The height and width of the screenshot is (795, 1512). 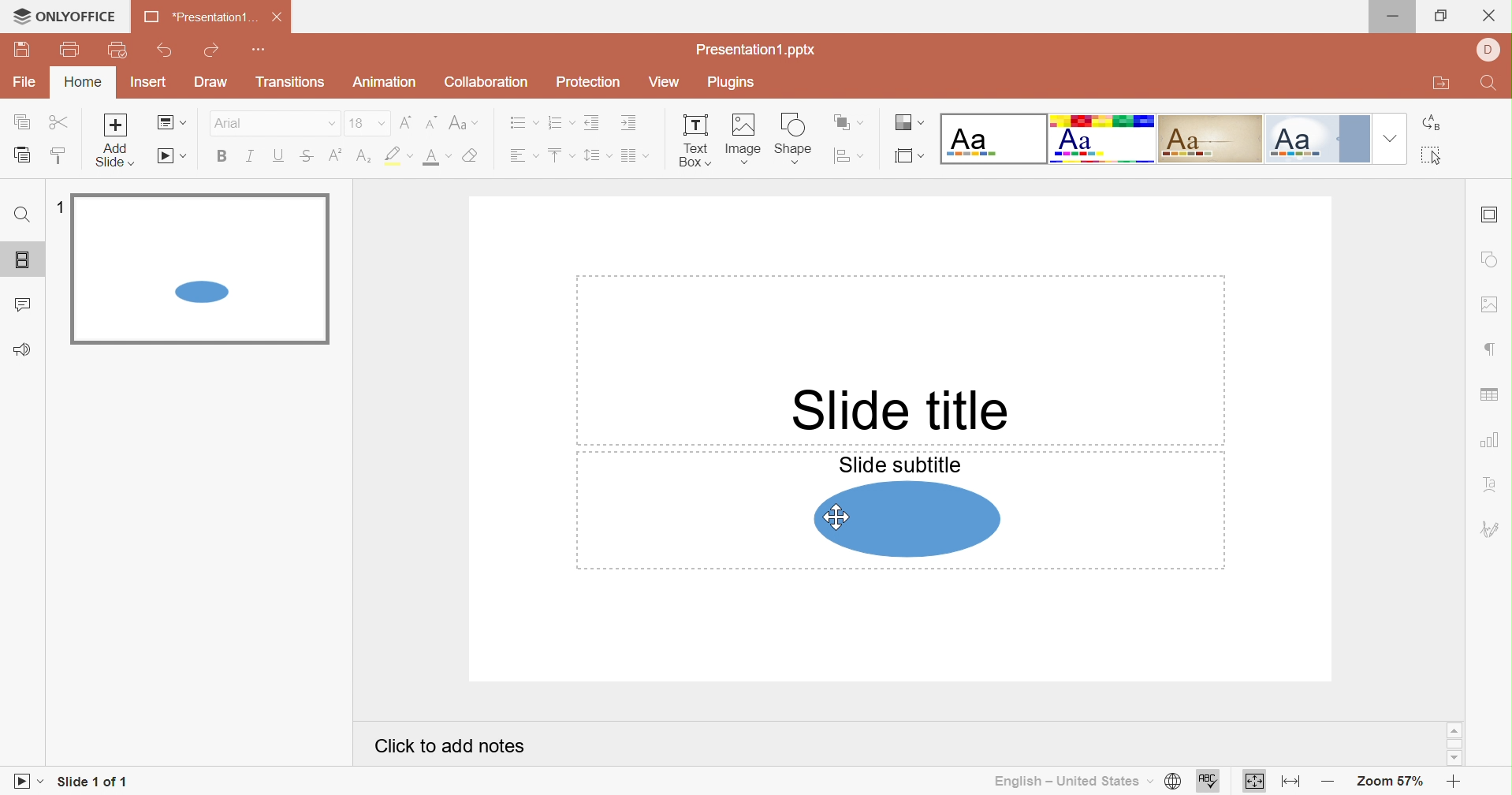 I want to click on Underline, so click(x=277, y=155).